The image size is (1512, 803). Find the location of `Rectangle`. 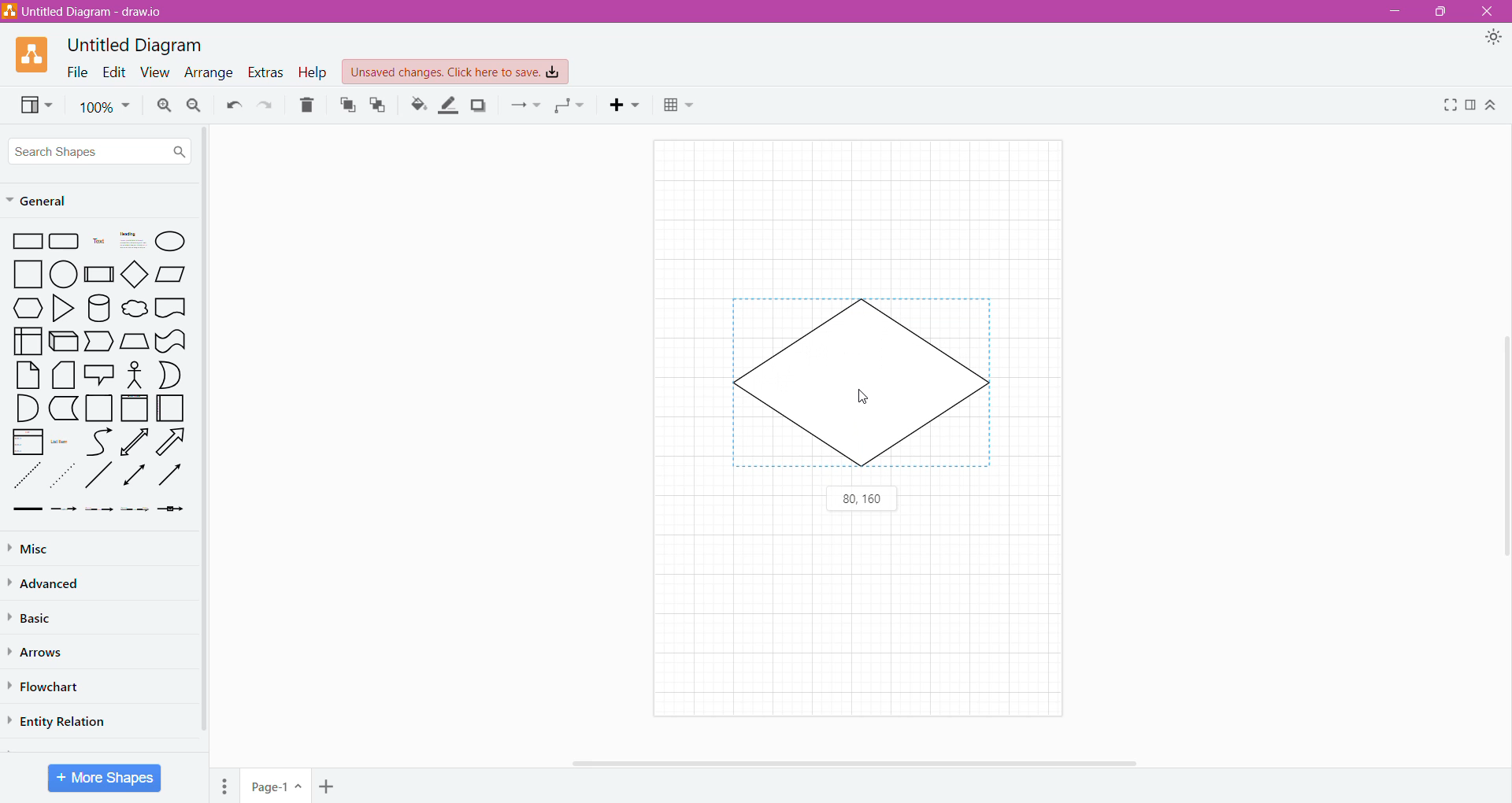

Rectangle is located at coordinates (28, 242).